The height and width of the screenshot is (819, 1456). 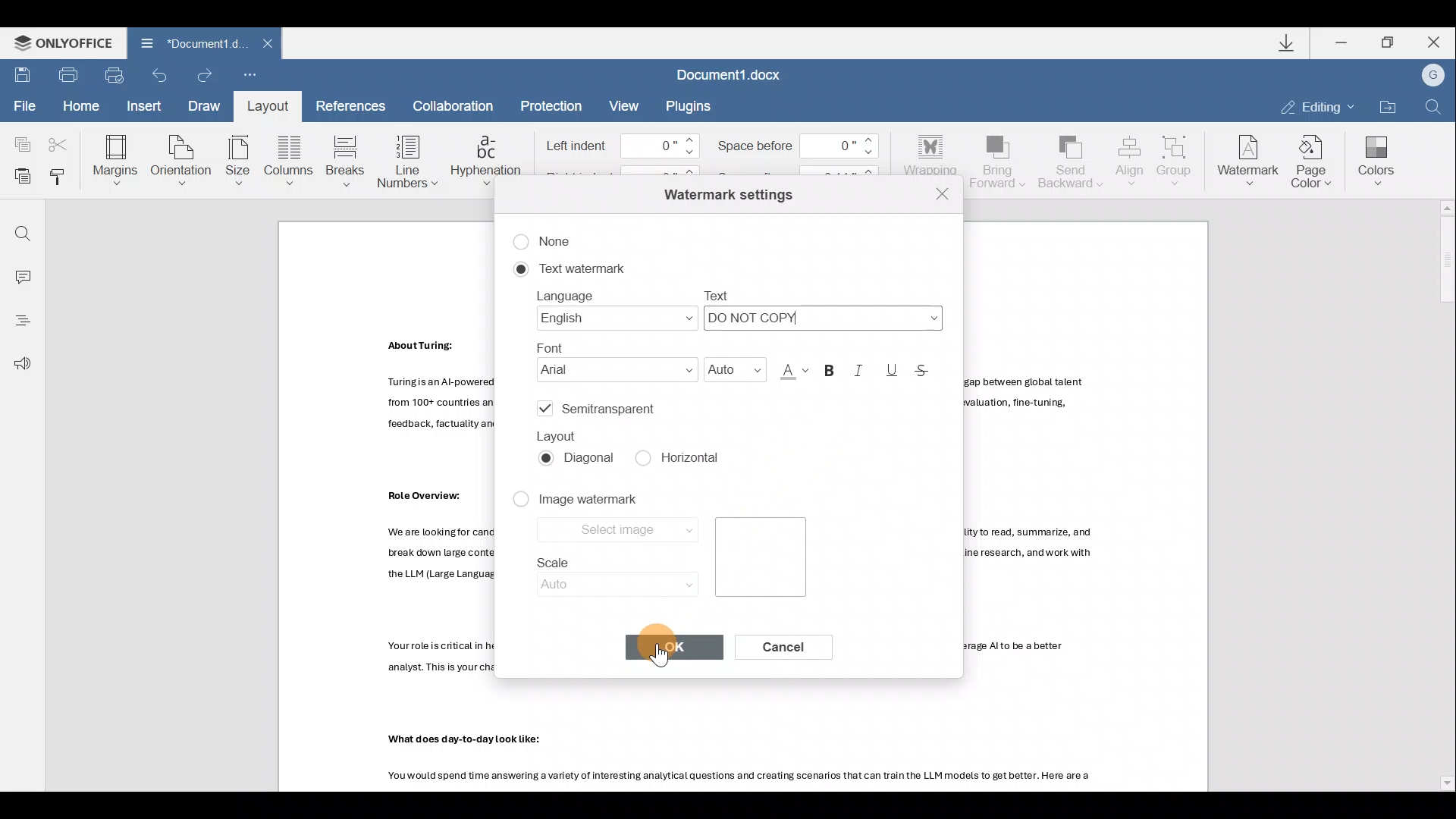 What do you see at coordinates (833, 367) in the screenshot?
I see `Bold` at bounding box center [833, 367].